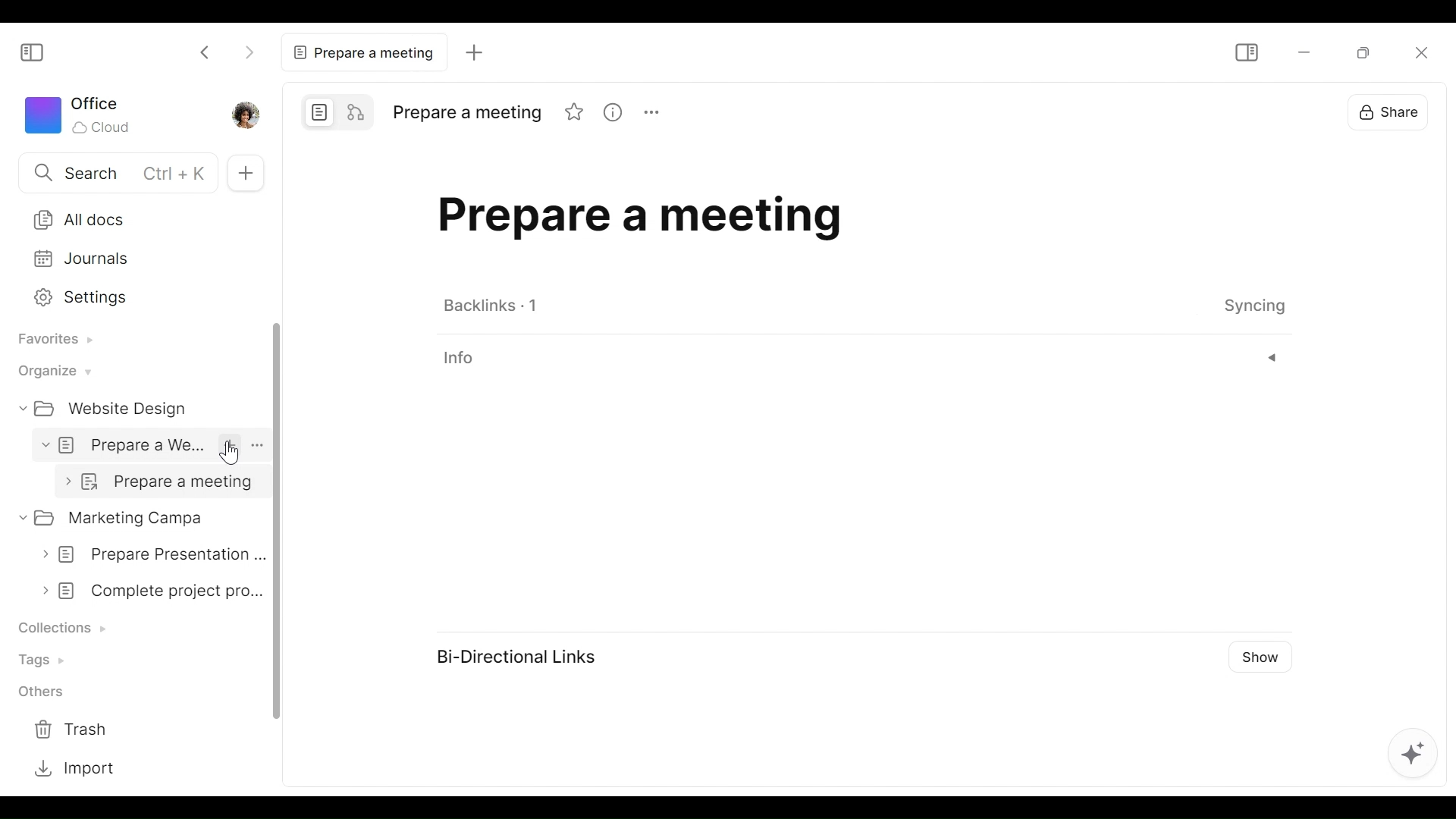 The height and width of the screenshot is (819, 1456). I want to click on Workspace, so click(78, 115).